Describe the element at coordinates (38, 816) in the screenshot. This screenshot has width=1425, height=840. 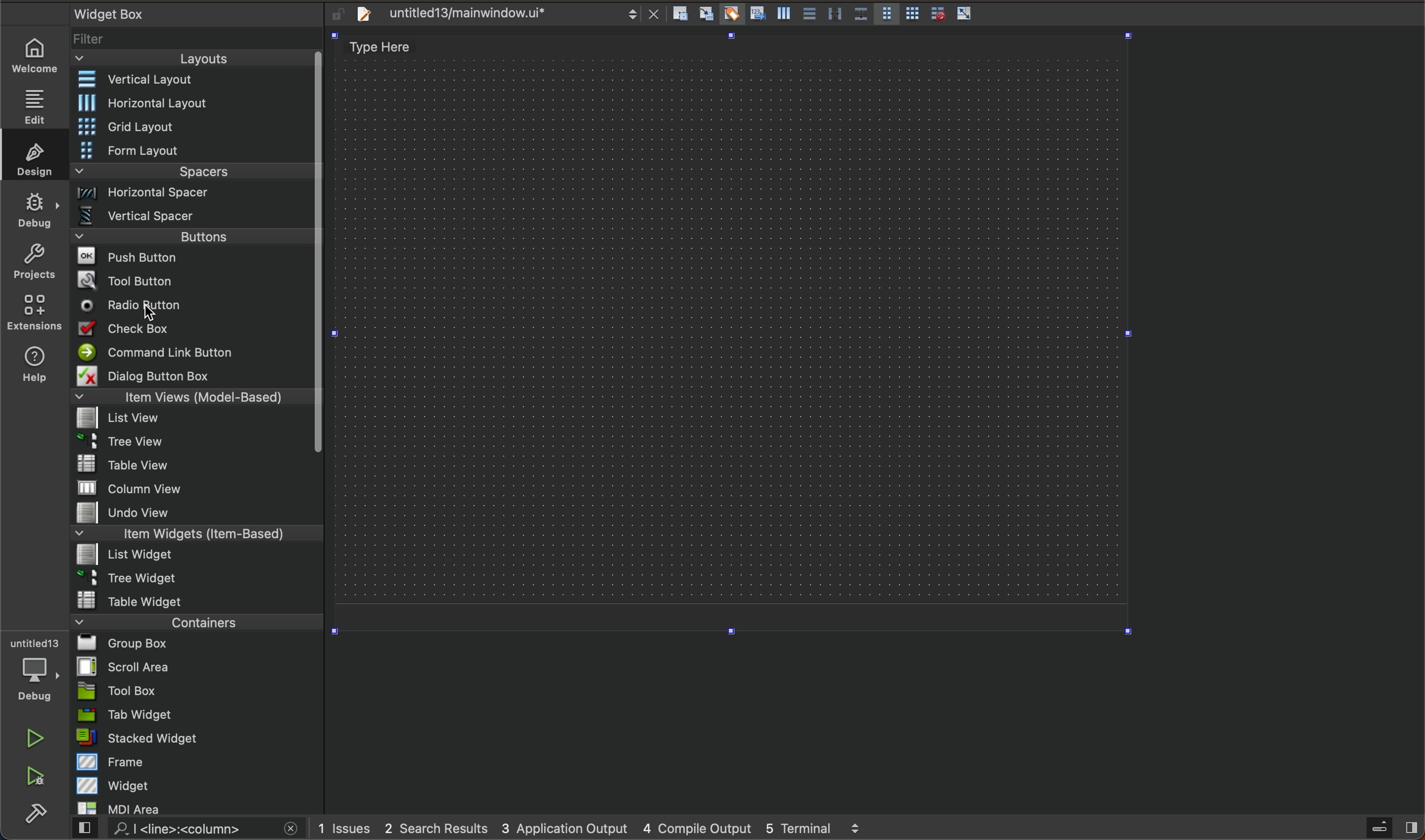
I see `build` at that location.